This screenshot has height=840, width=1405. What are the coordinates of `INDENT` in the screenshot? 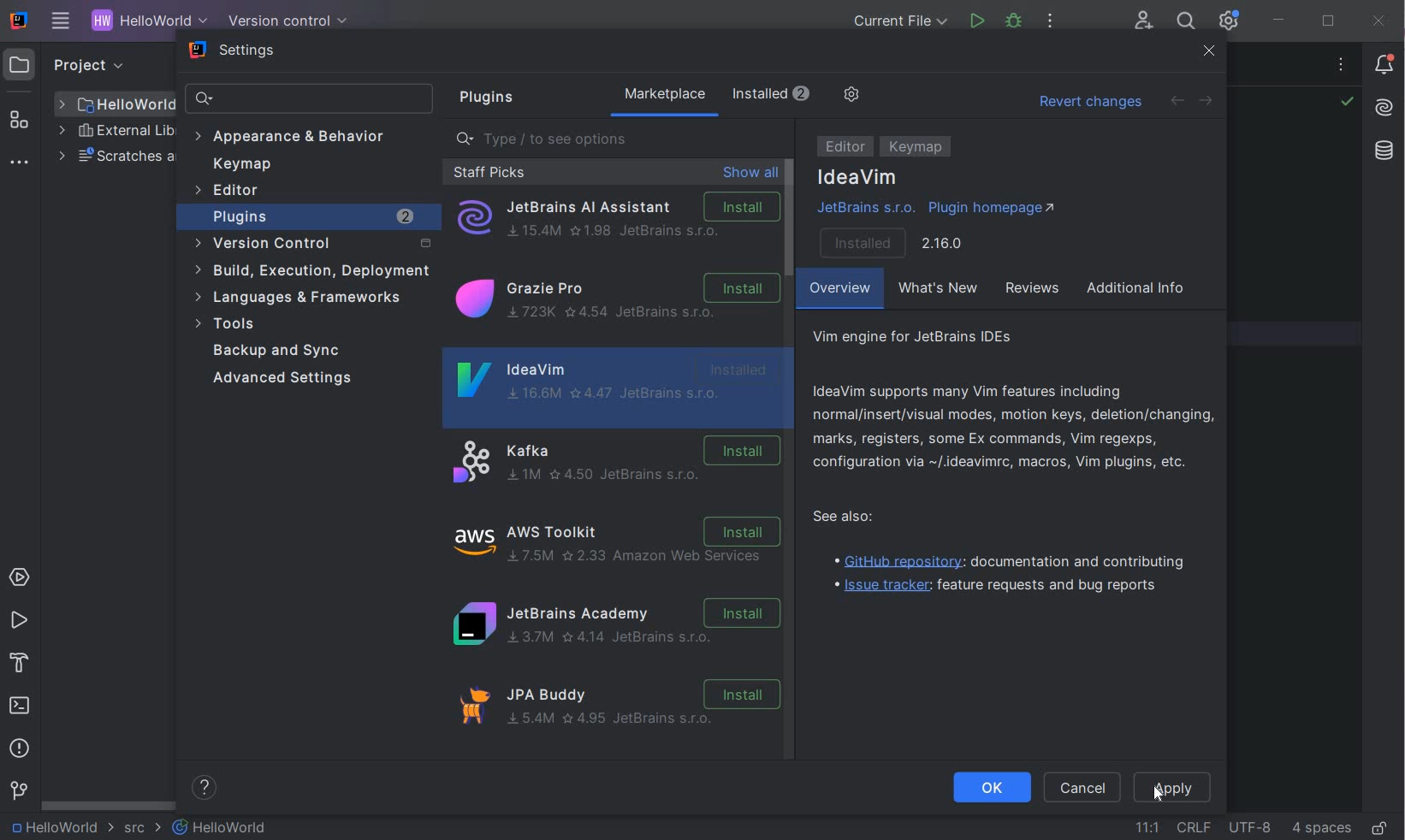 It's located at (1320, 827).